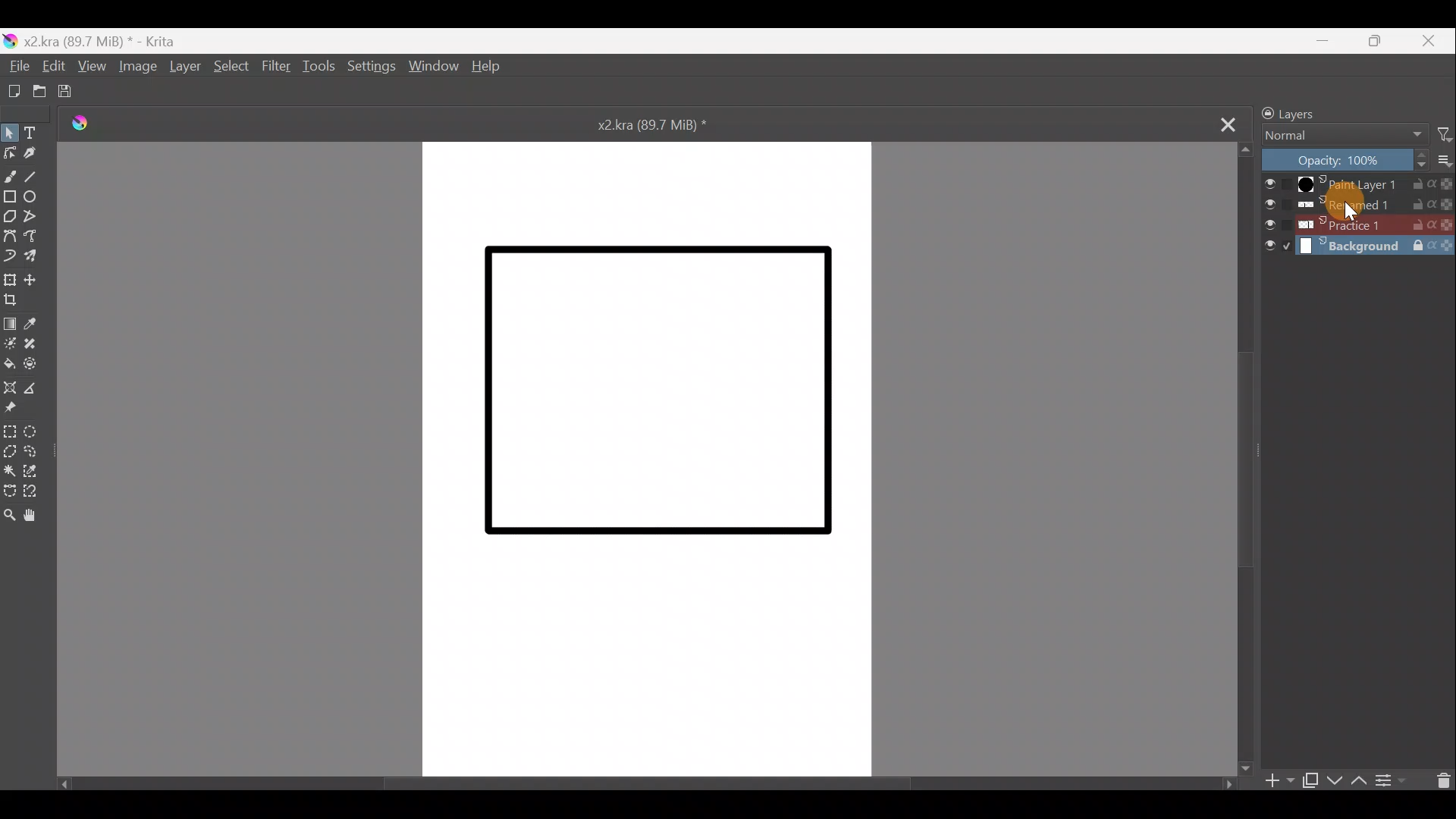 This screenshot has width=1456, height=819. I want to click on Sample a colour from image/current layer, so click(37, 324).